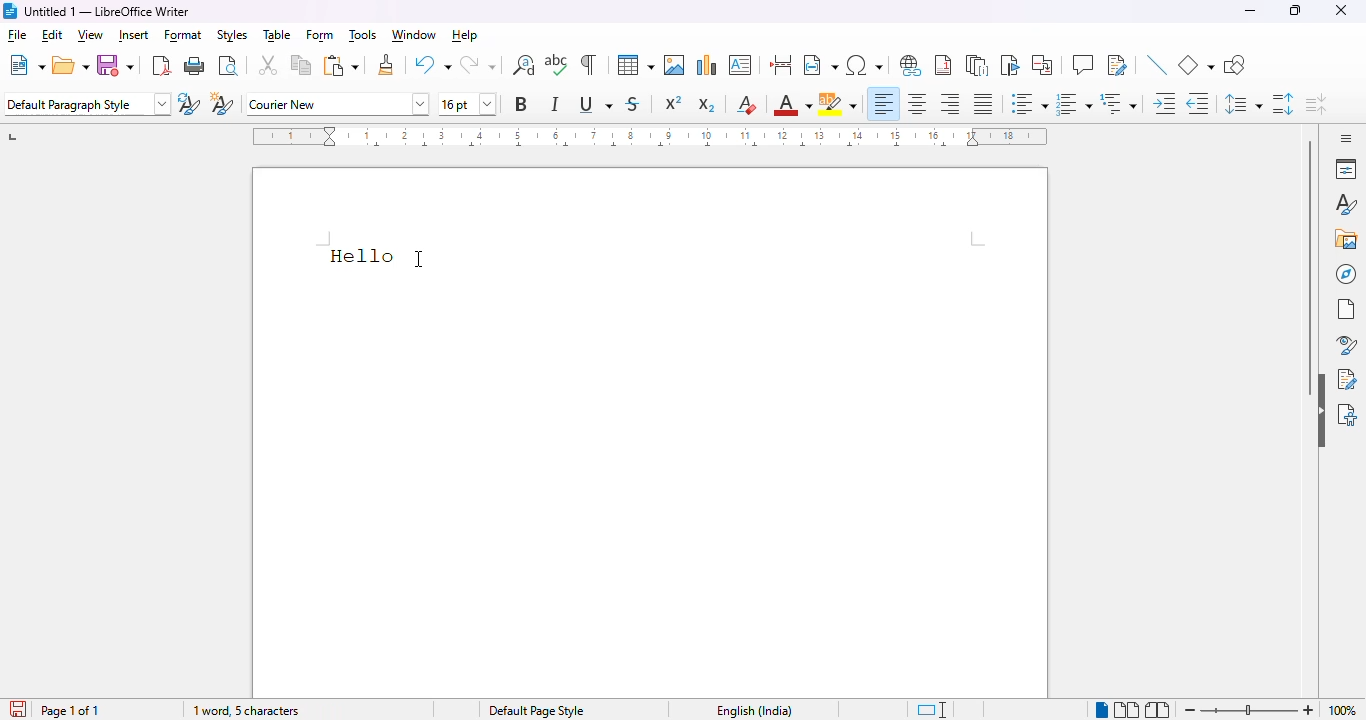  I want to click on accessibility check, so click(1347, 413).